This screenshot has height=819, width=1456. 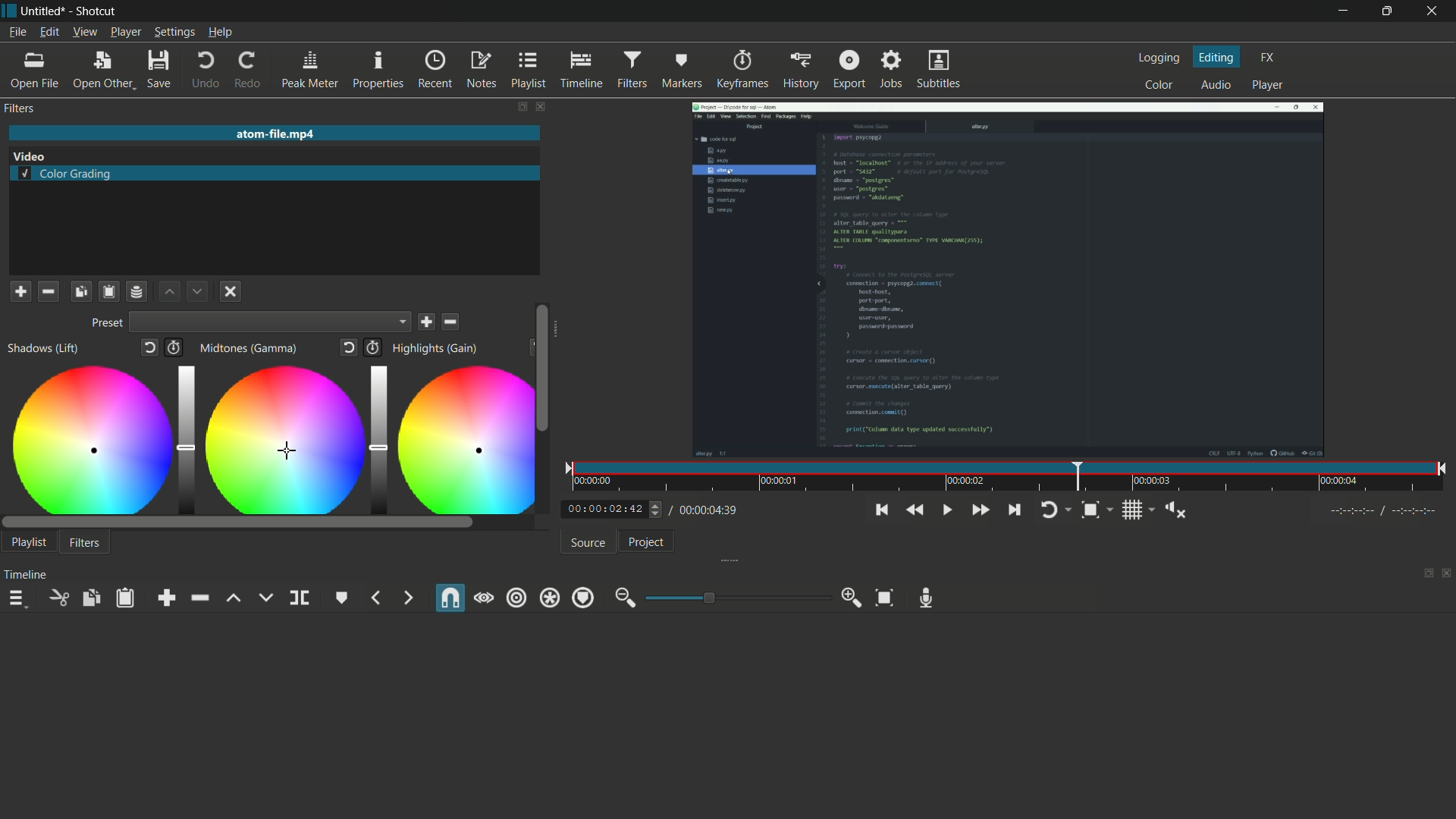 I want to click on dropdown, so click(x=271, y=324).